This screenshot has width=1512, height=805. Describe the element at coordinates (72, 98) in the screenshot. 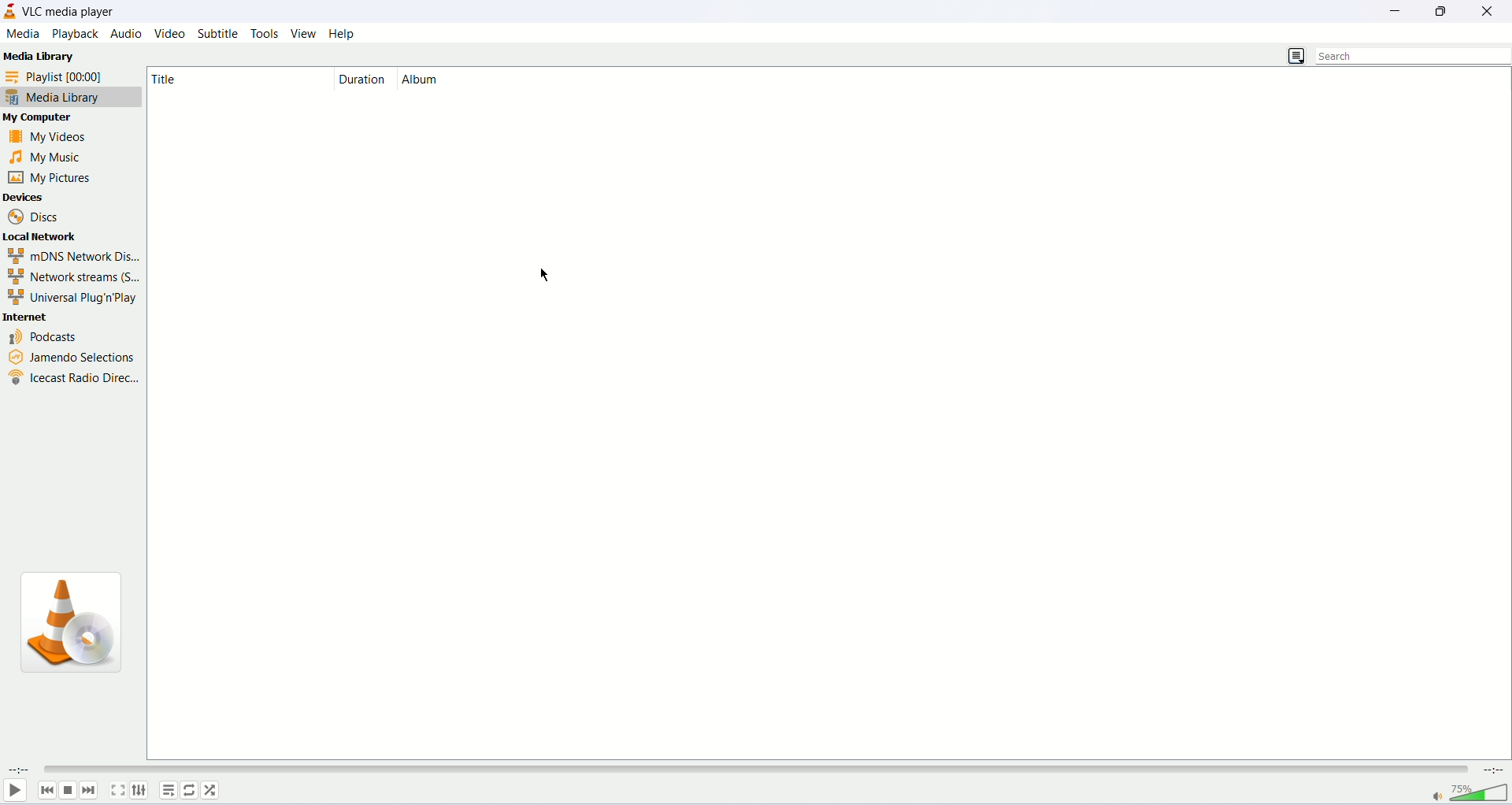

I see `media library` at that location.